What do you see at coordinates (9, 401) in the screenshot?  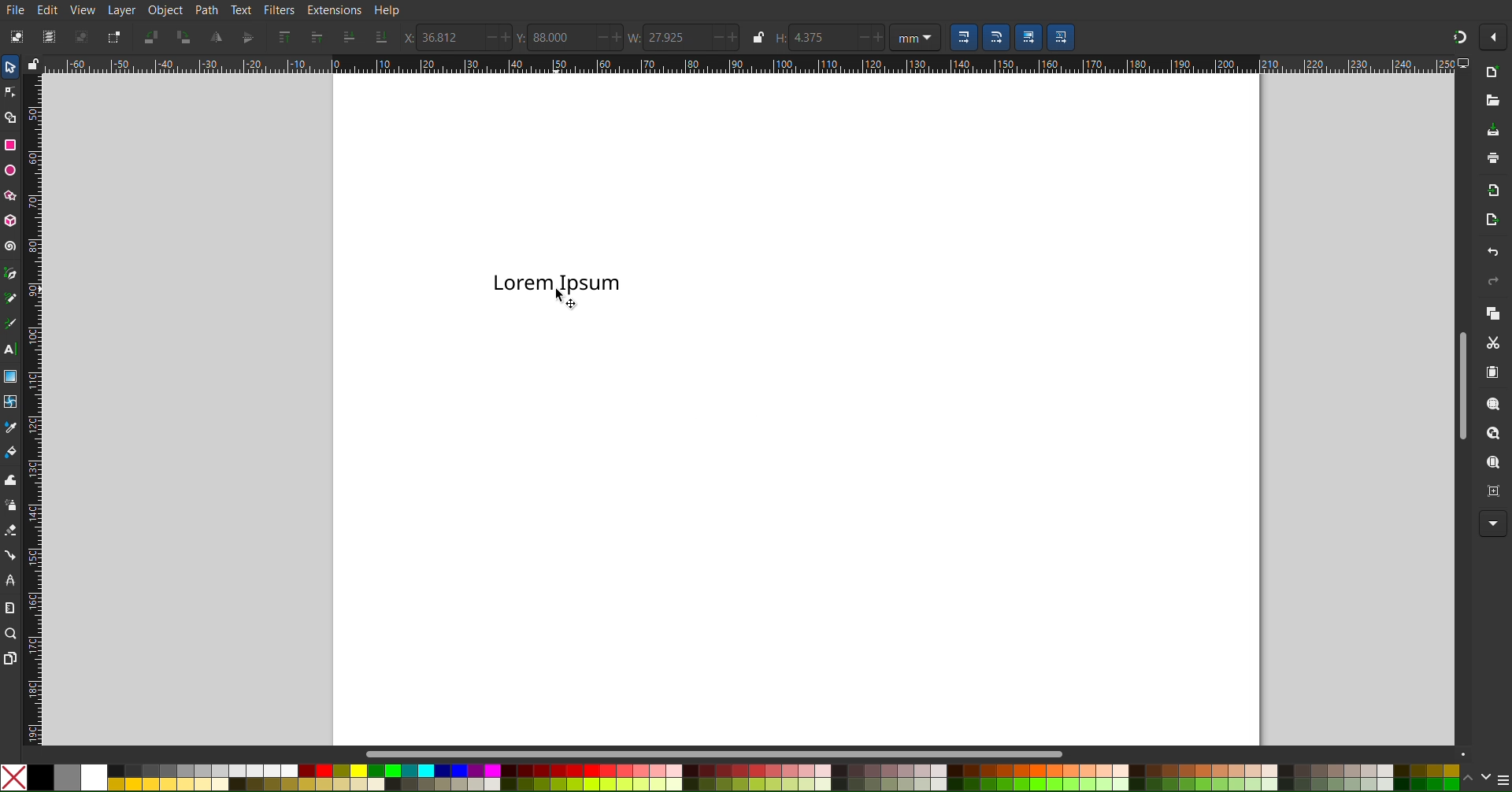 I see `Mesh Tool` at bounding box center [9, 401].